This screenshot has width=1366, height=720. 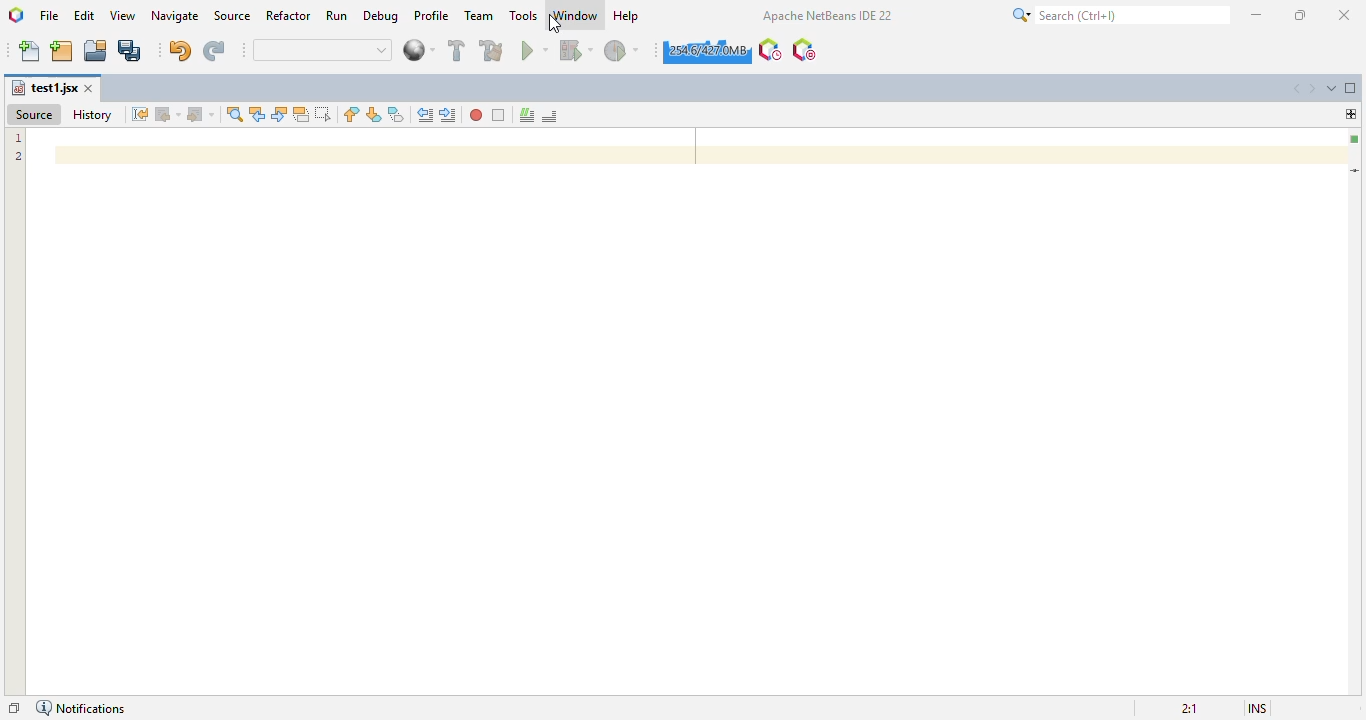 I want to click on close, so click(x=1346, y=15).